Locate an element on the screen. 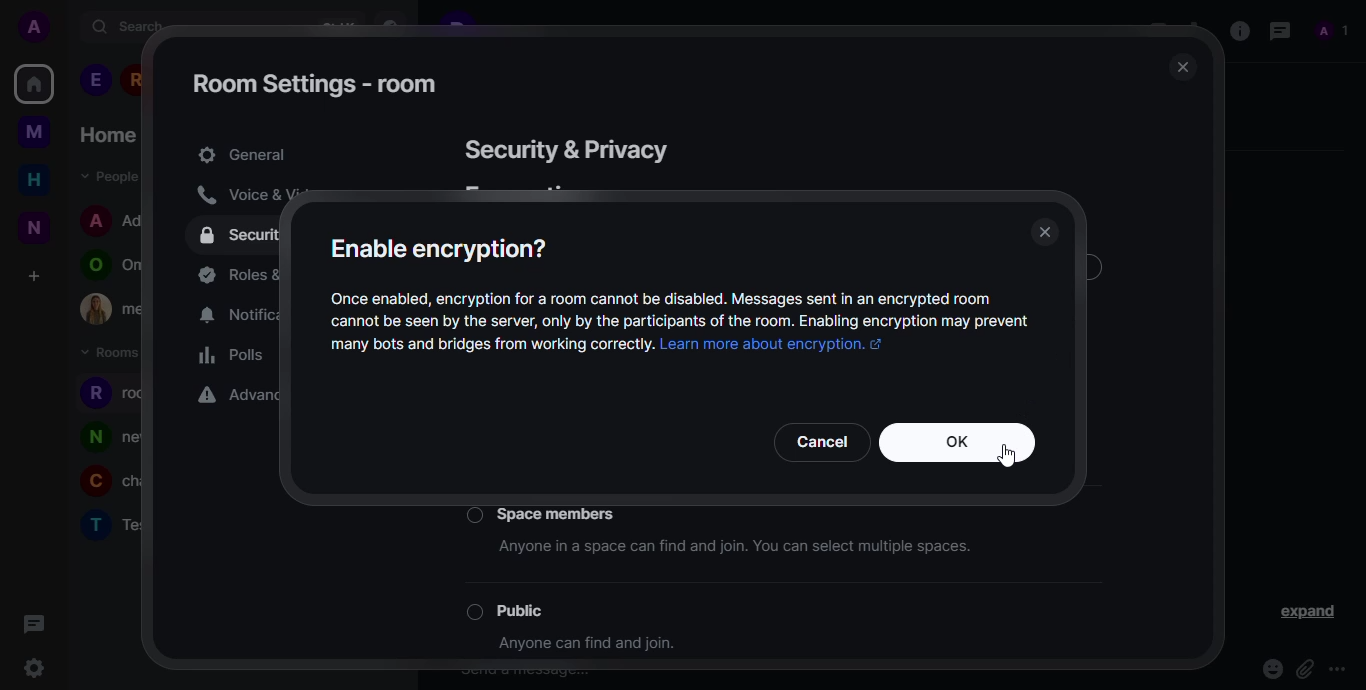 The height and width of the screenshot is (690, 1366). info- anyone can find and join is located at coordinates (594, 645).